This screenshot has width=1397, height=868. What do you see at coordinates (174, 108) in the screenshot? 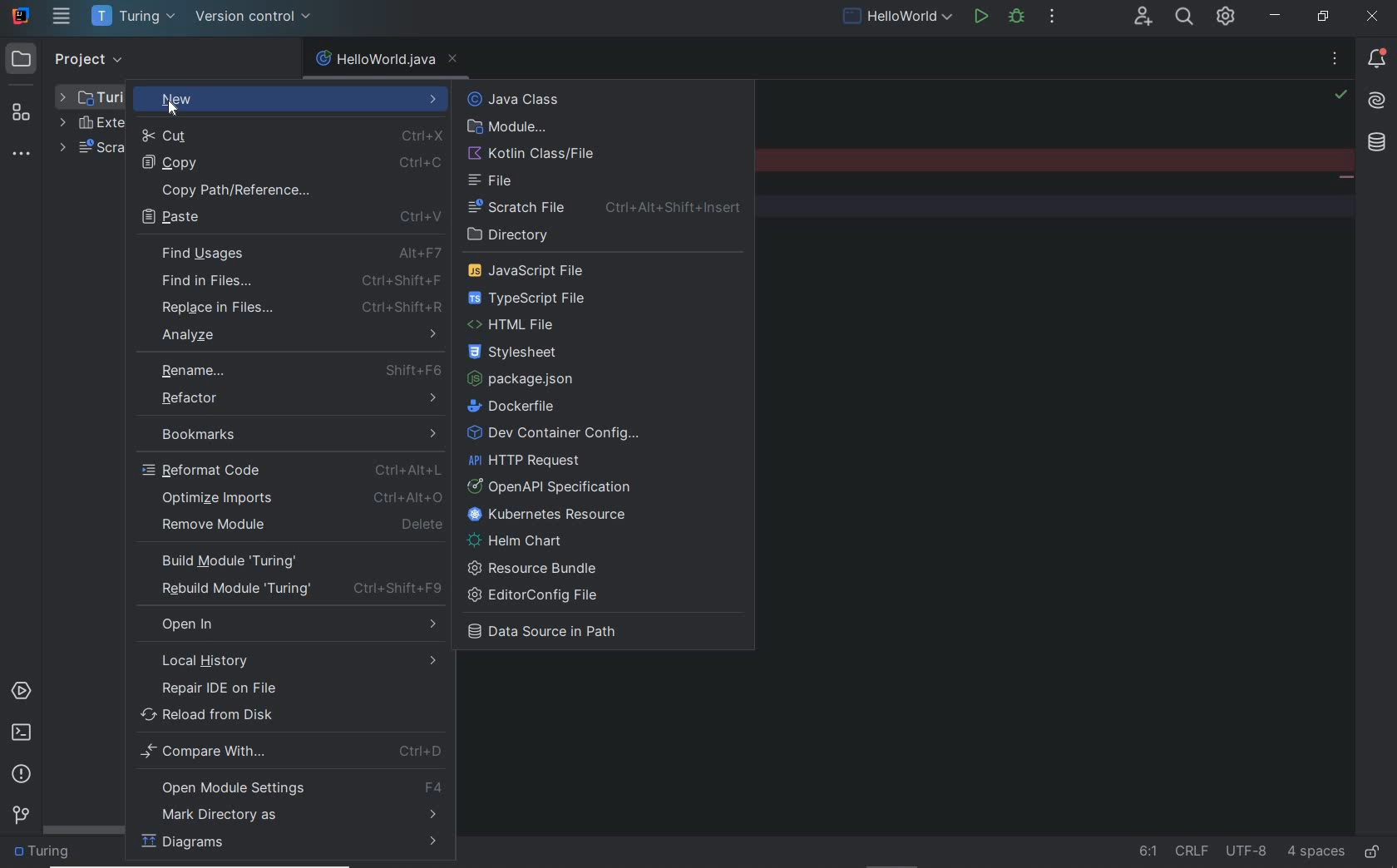
I see `cursor` at bounding box center [174, 108].